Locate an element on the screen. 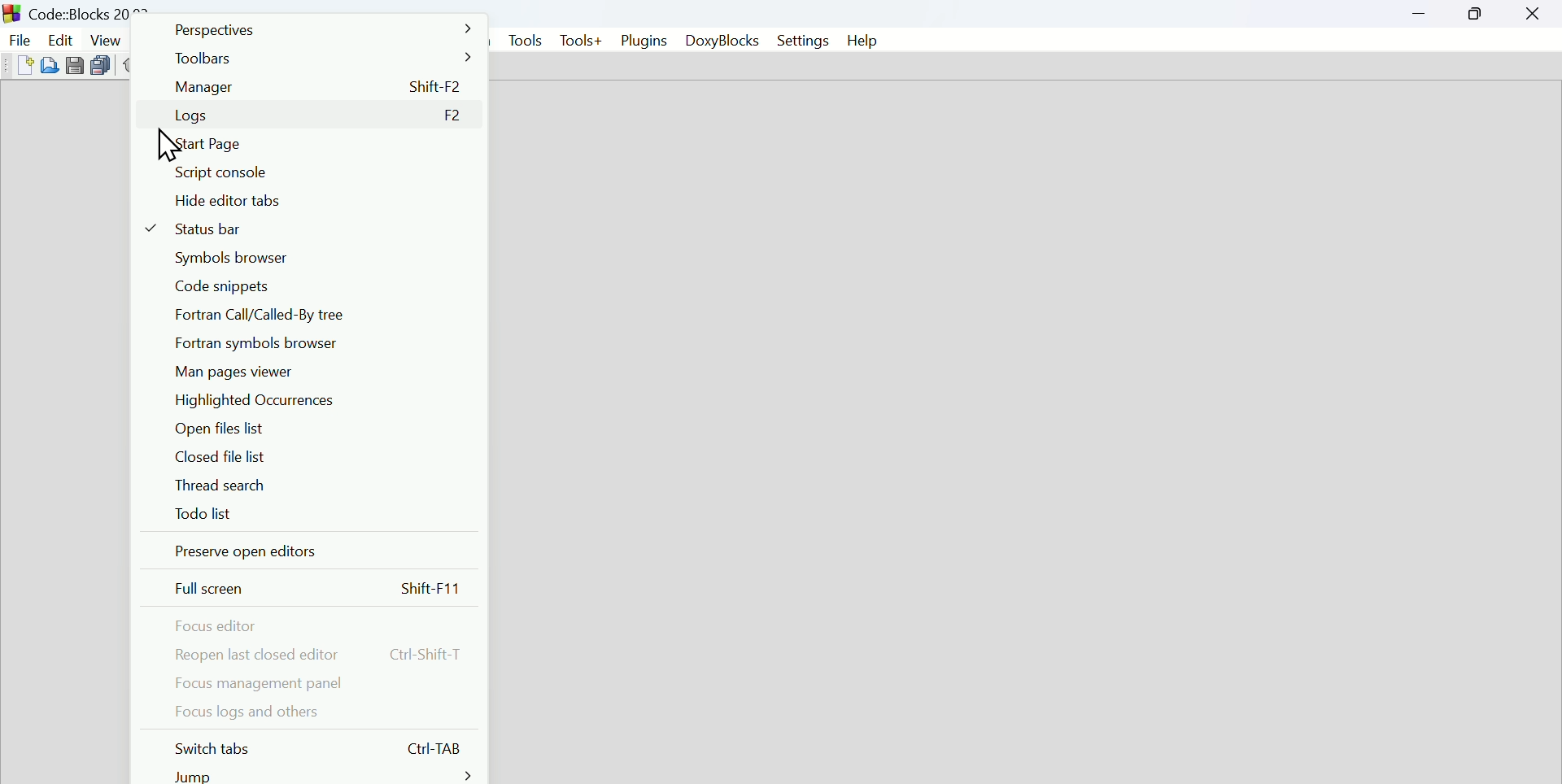  Icon is located at coordinates (13, 12).